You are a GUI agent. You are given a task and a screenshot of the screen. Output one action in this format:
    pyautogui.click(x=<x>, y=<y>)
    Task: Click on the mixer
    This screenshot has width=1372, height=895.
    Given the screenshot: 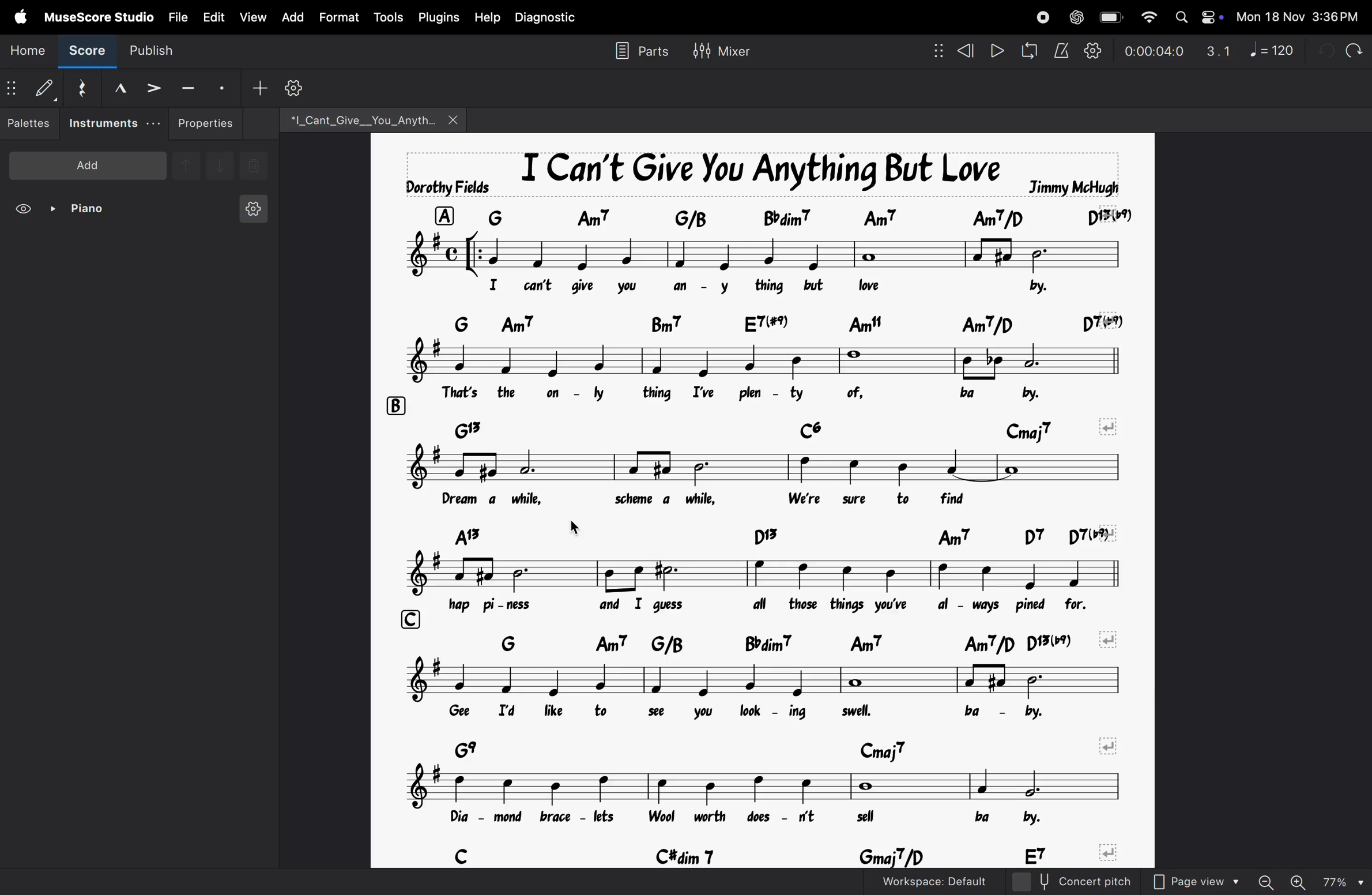 What is the action you would take?
    pyautogui.click(x=720, y=49)
    